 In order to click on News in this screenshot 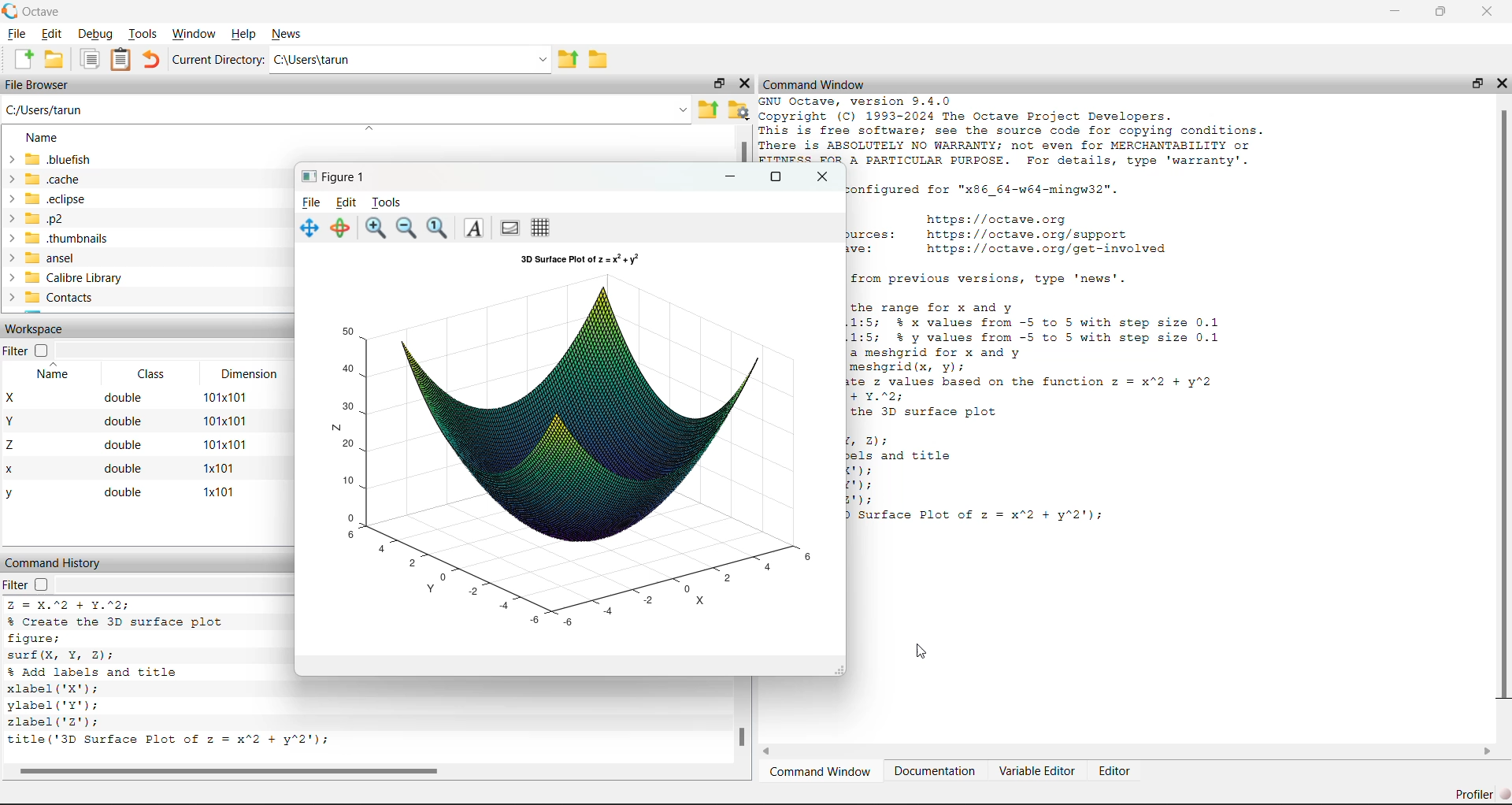, I will do `click(290, 35)`.